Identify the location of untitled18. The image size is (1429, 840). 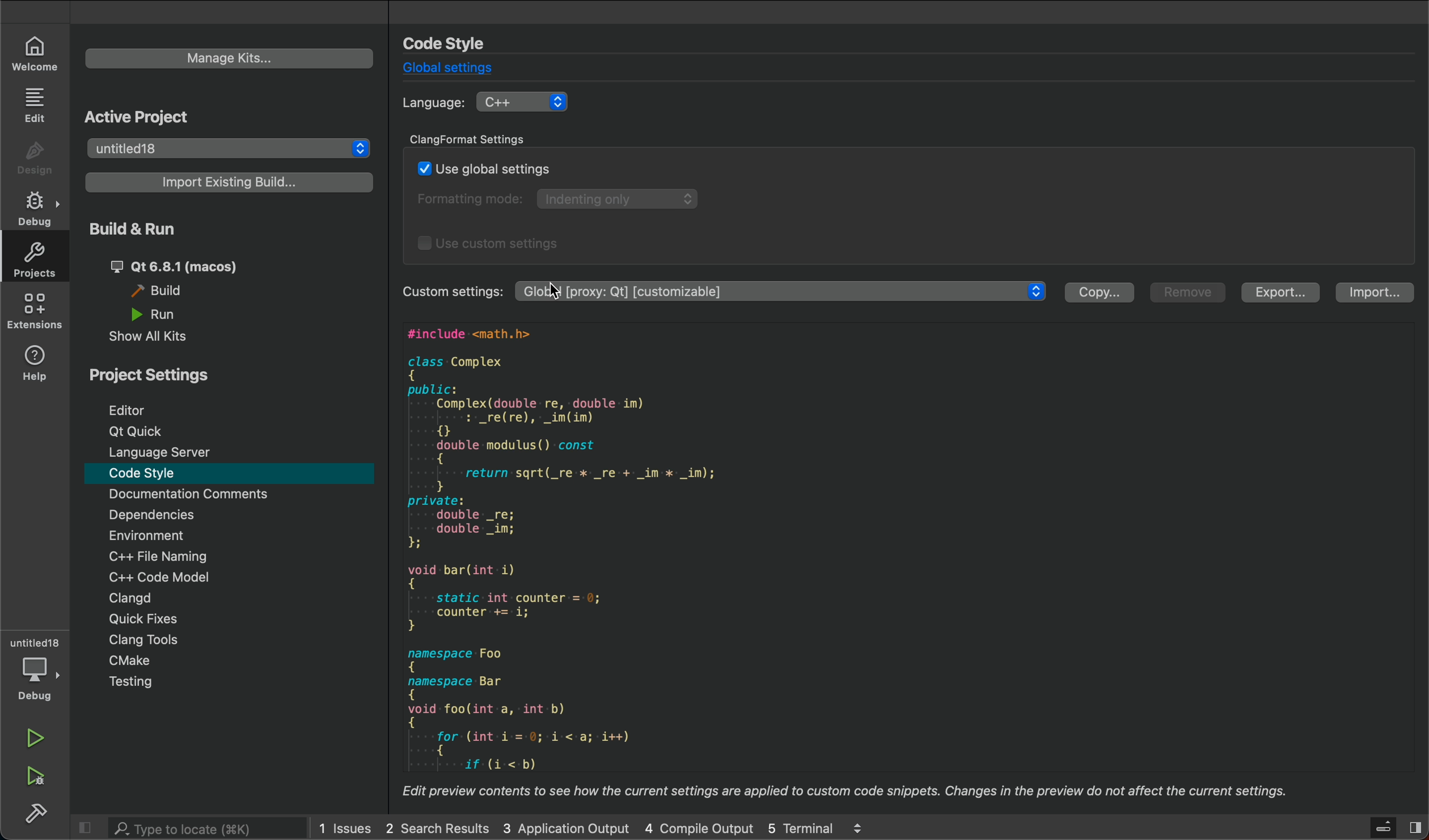
(231, 146).